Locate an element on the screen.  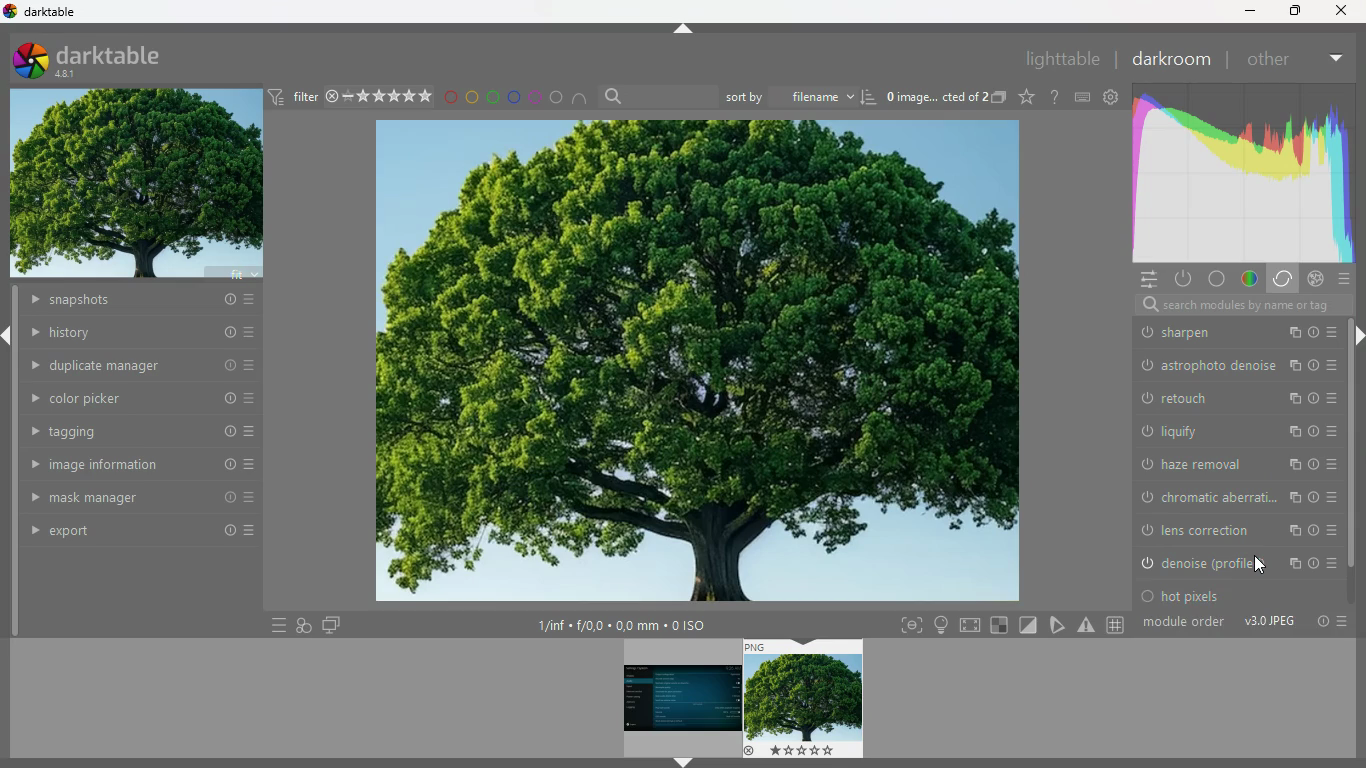
image is located at coordinates (933, 95).